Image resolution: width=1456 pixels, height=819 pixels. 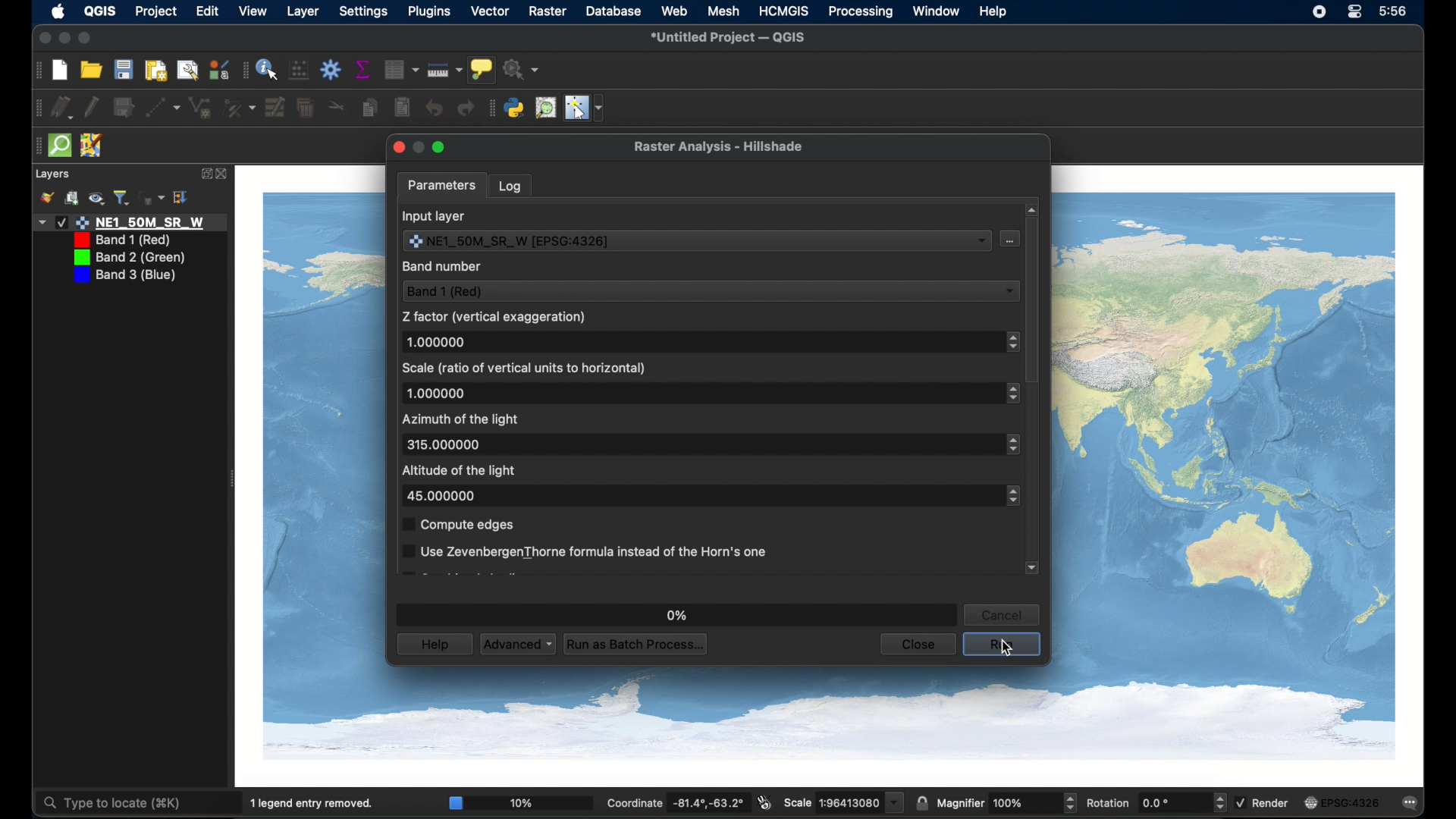 What do you see at coordinates (522, 70) in the screenshot?
I see `no action selected ` at bounding box center [522, 70].